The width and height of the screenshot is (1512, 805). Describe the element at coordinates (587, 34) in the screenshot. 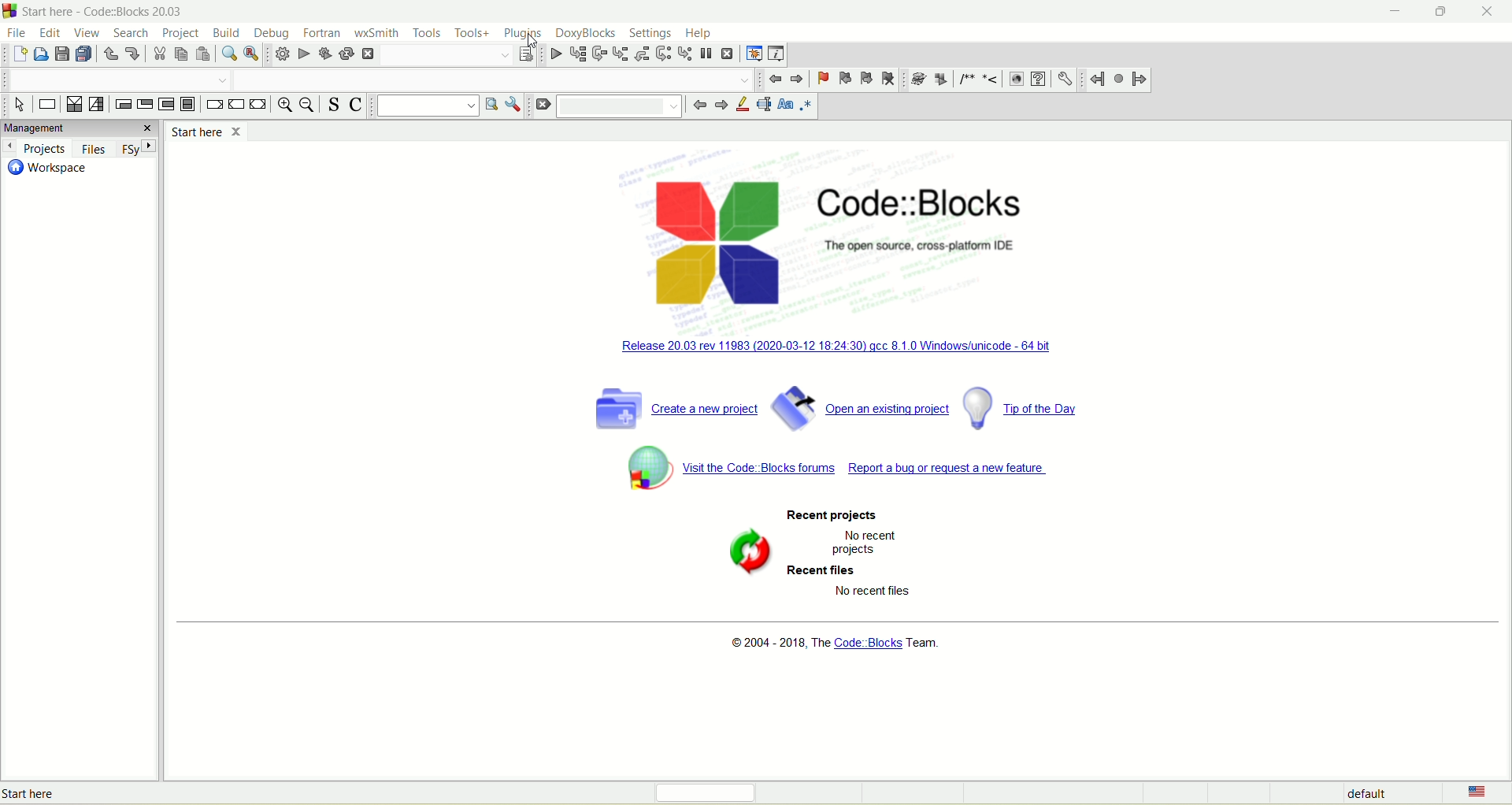

I see `doxyblocks` at that location.